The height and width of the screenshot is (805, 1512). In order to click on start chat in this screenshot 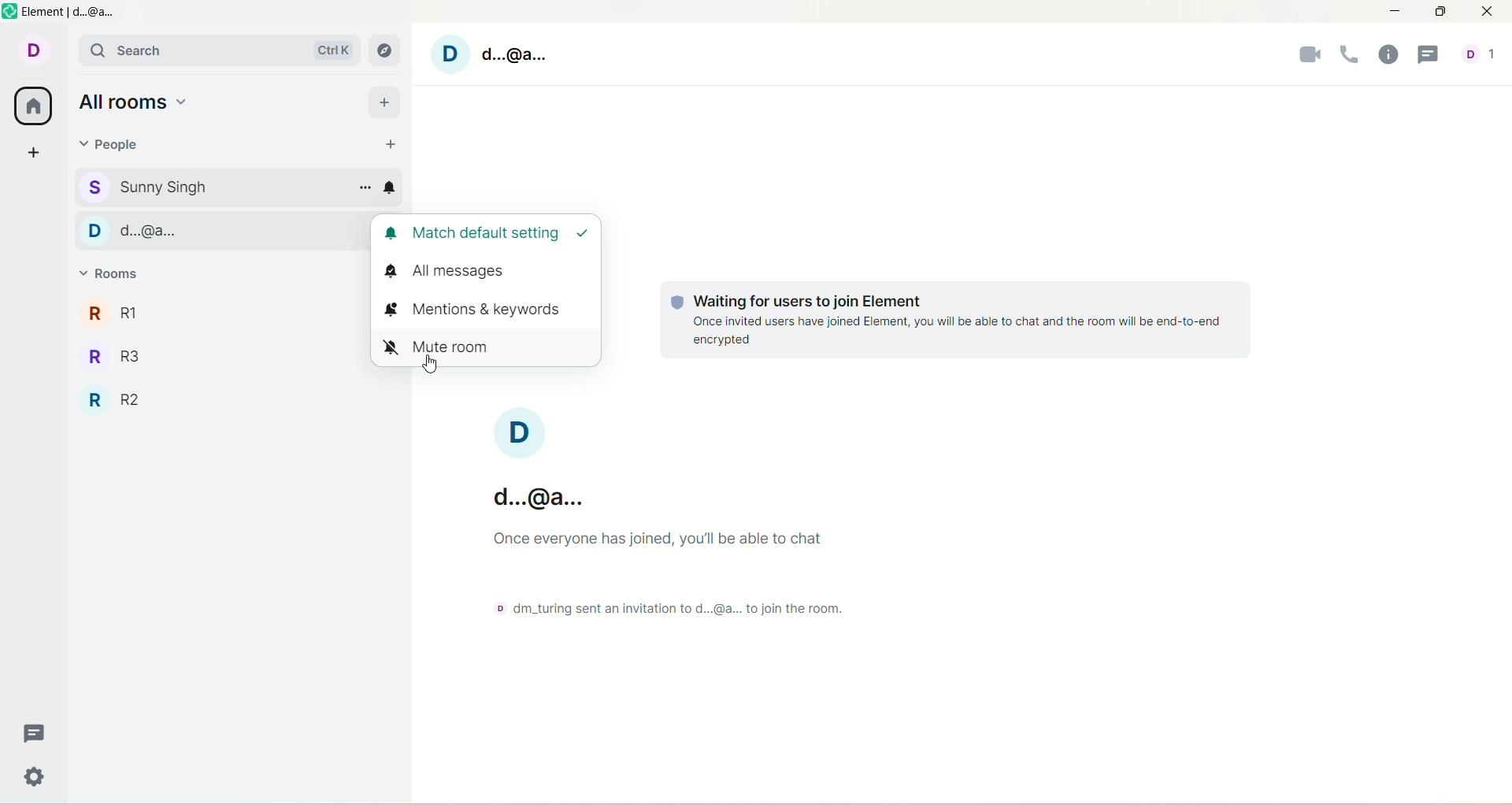, I will do `click(395, 146)`.